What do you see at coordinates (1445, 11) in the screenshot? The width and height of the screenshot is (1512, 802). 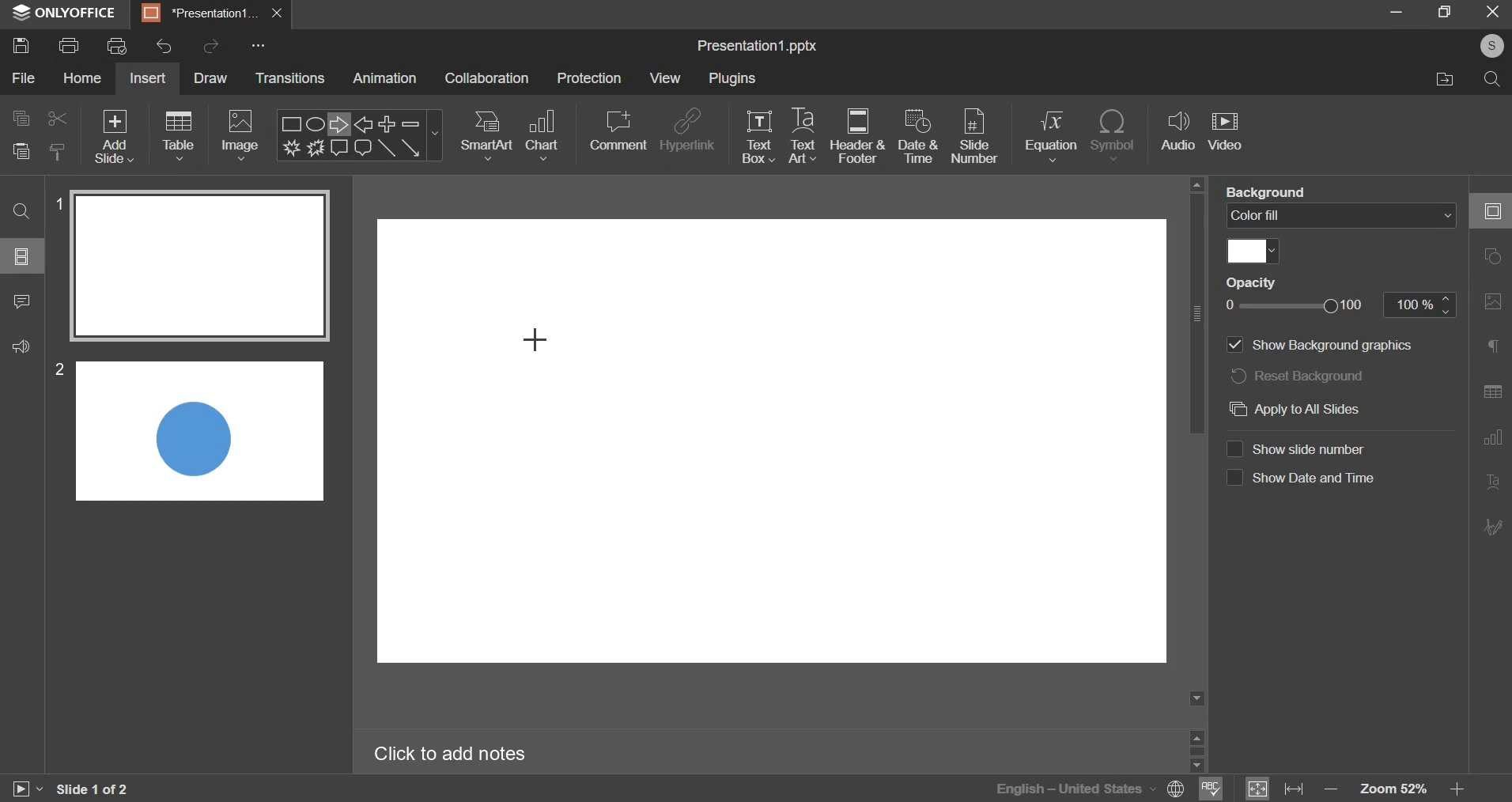 I see `maximize` at bounding box center [1445, 11].